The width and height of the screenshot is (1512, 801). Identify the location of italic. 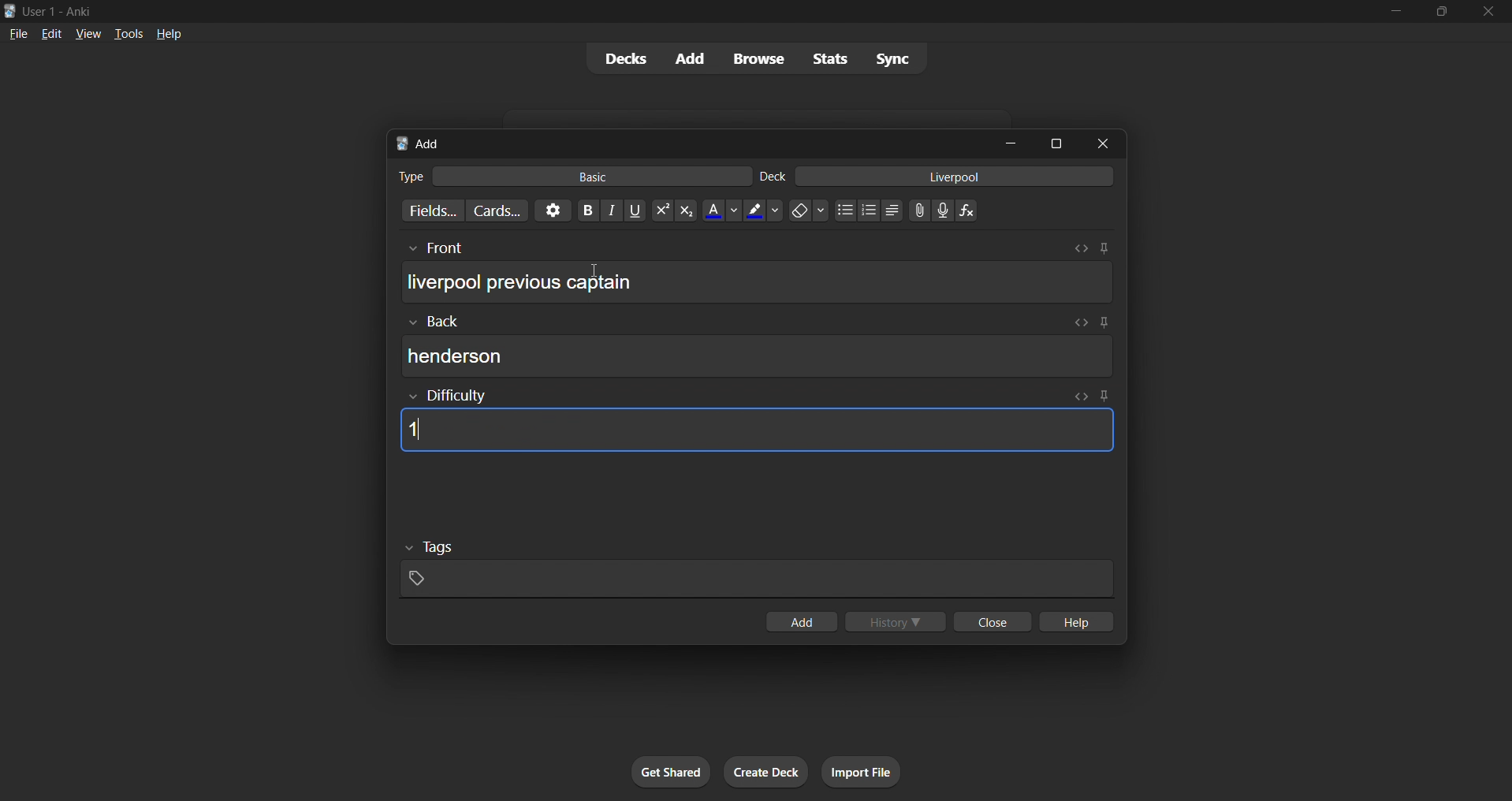
(613, 212).